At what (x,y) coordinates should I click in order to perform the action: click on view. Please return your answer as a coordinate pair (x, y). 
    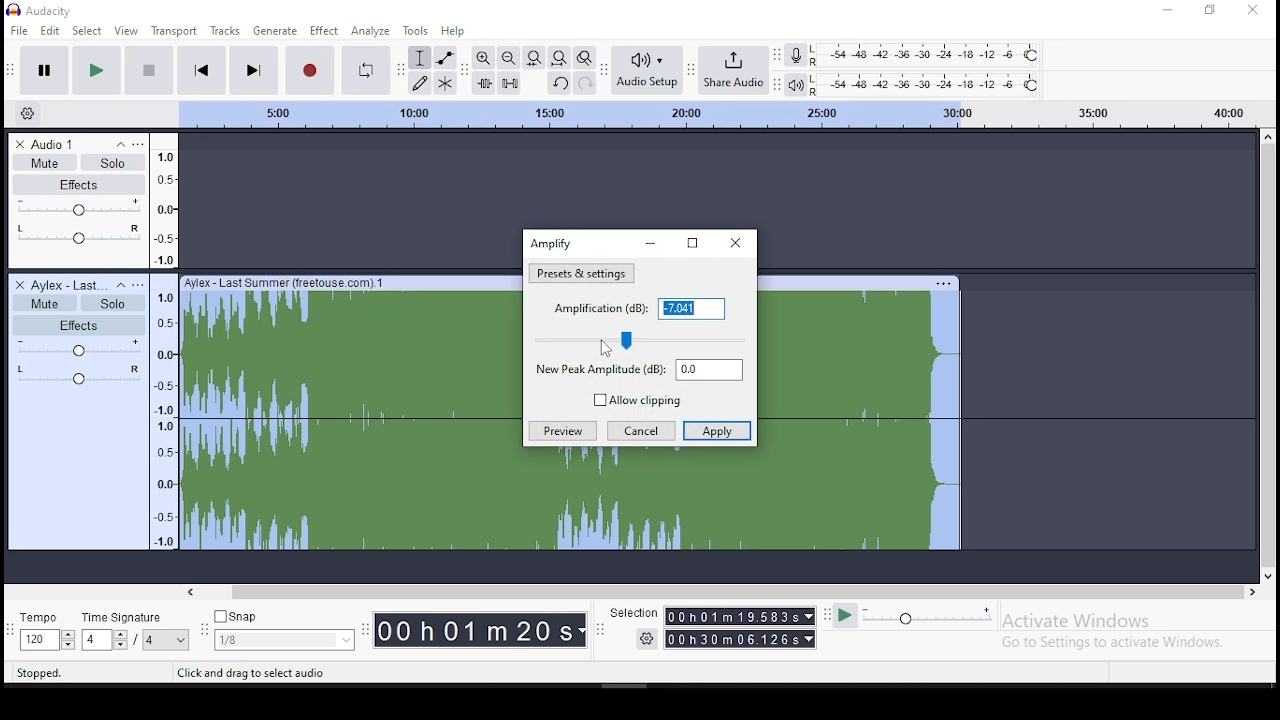
    Looking at the image, I should click on (129, 30).